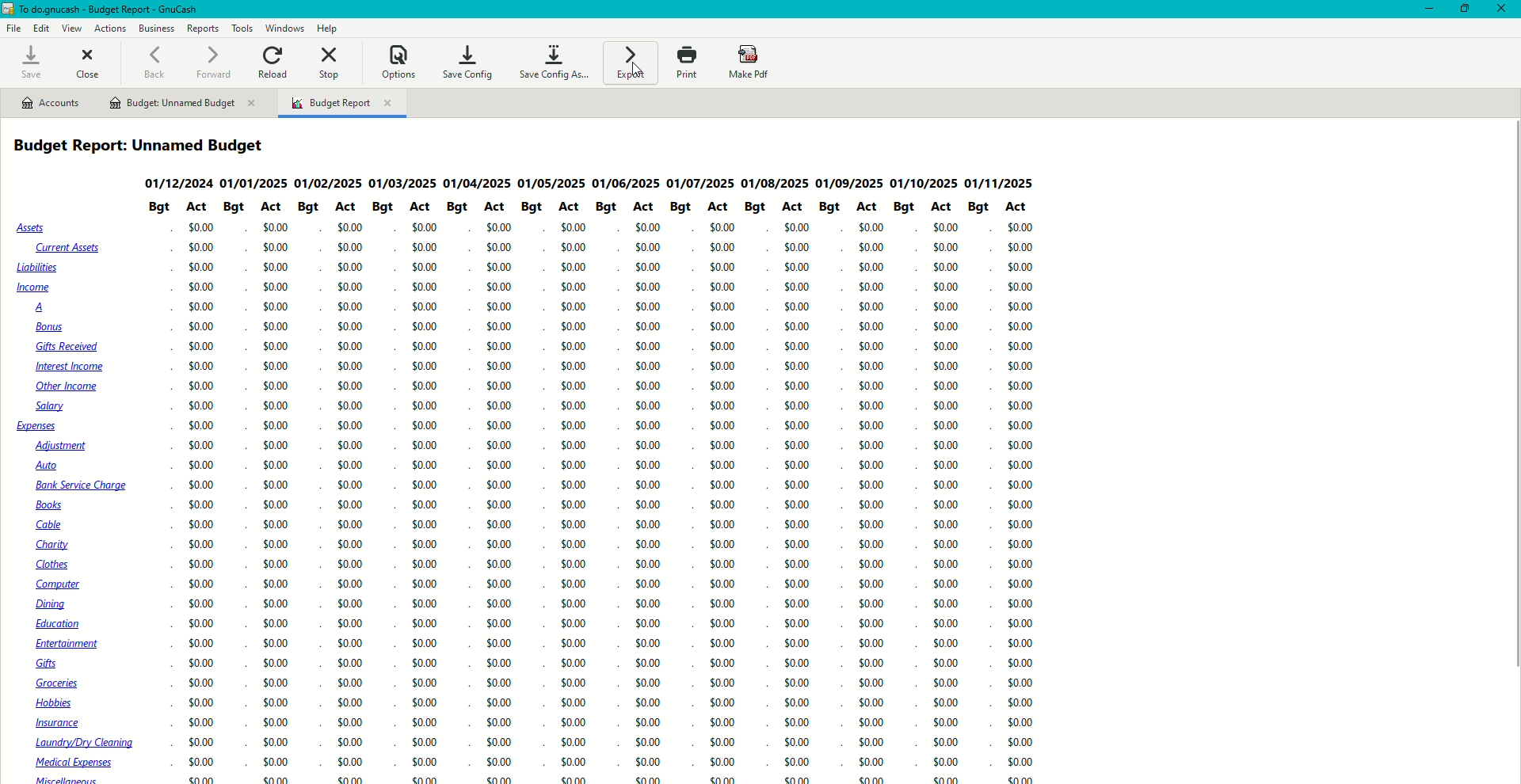 Image resolution: width=1521 pixels, height=784 pixels. Describe the element at coordinates (504, 546) in the screenshot. I see `$0.00` at that location.